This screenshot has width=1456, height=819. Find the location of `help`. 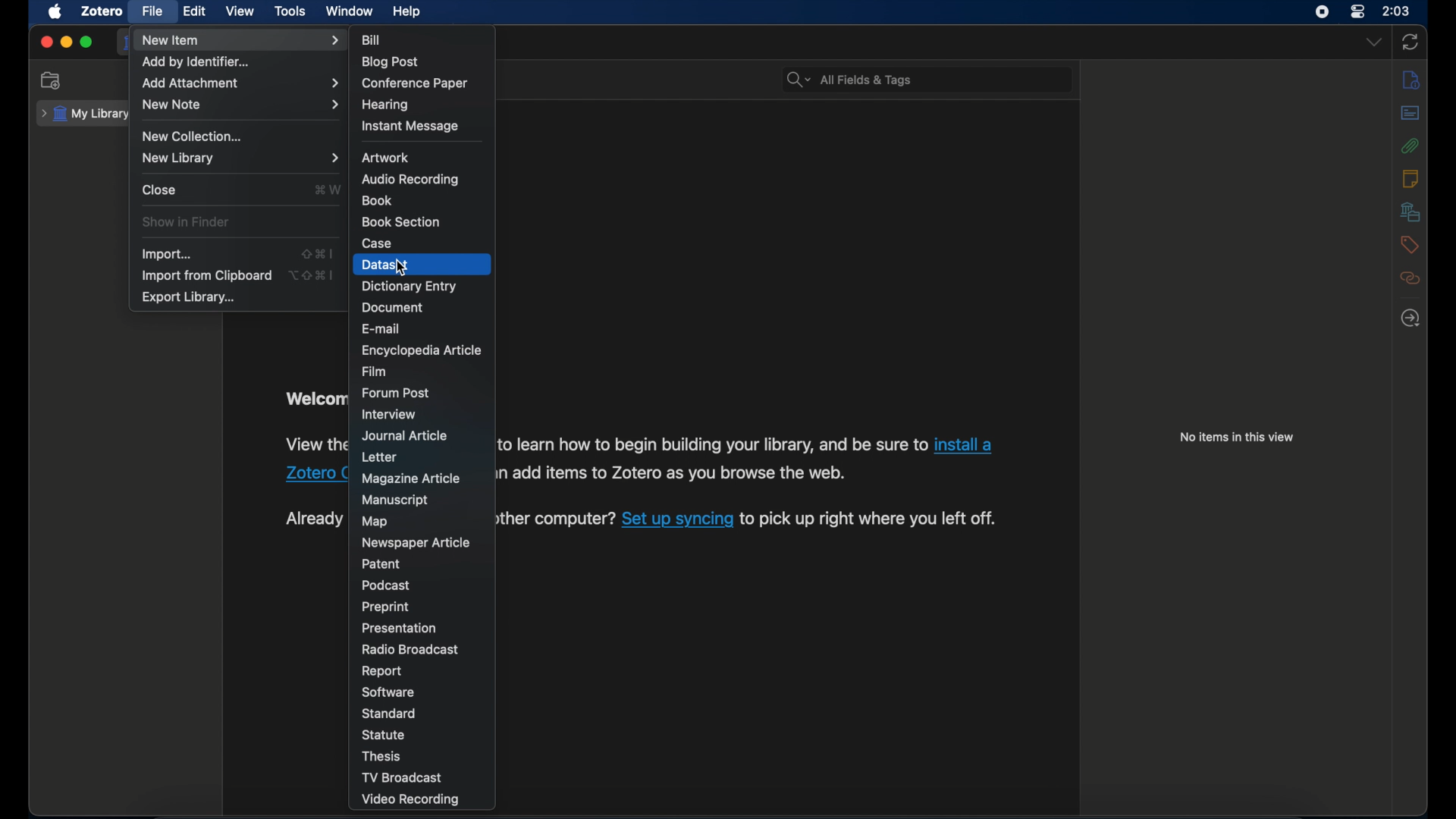

help is located at coordinates (406, 11).